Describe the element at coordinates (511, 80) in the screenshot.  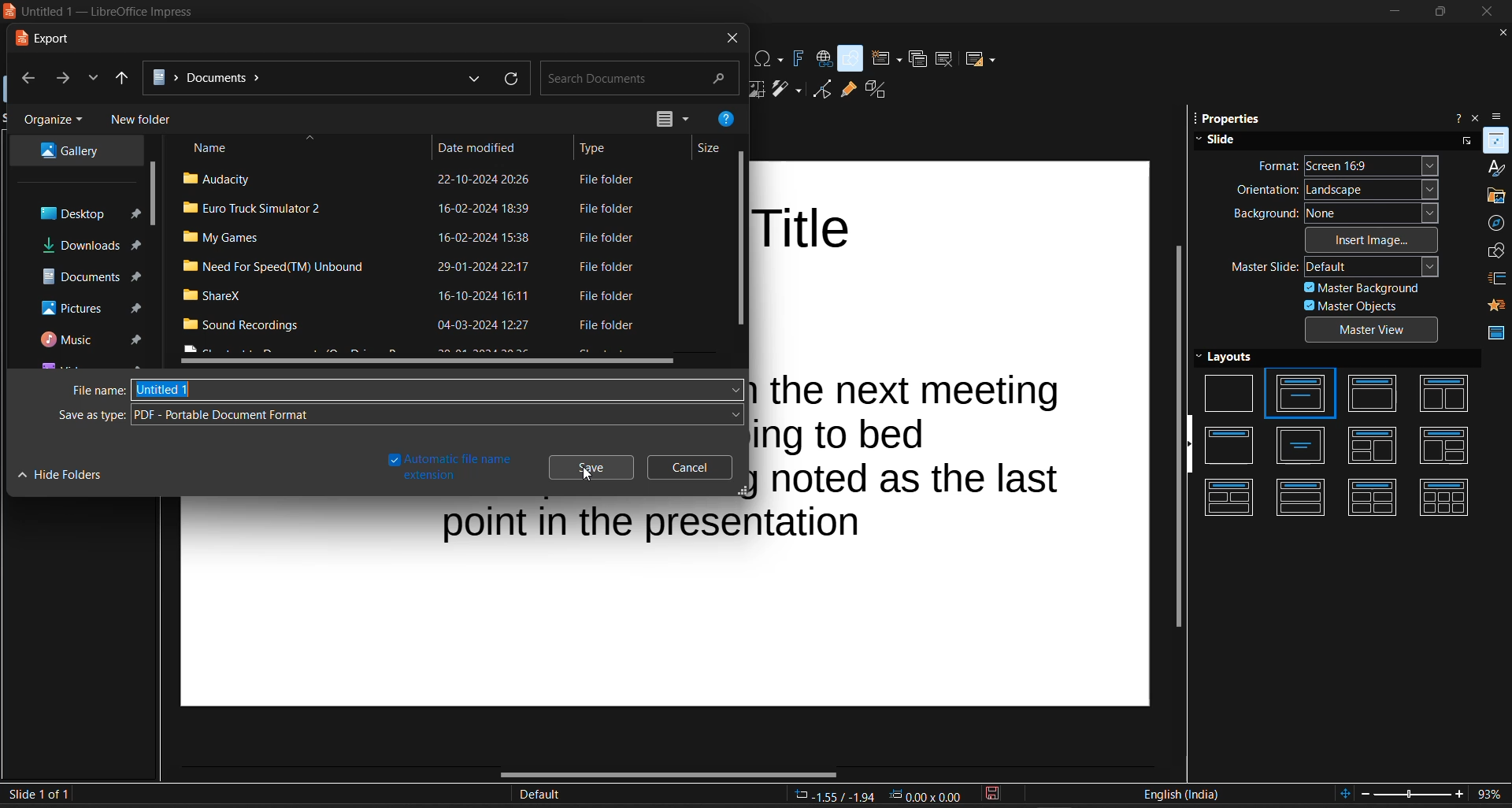
I see `refresh documents` at that location.